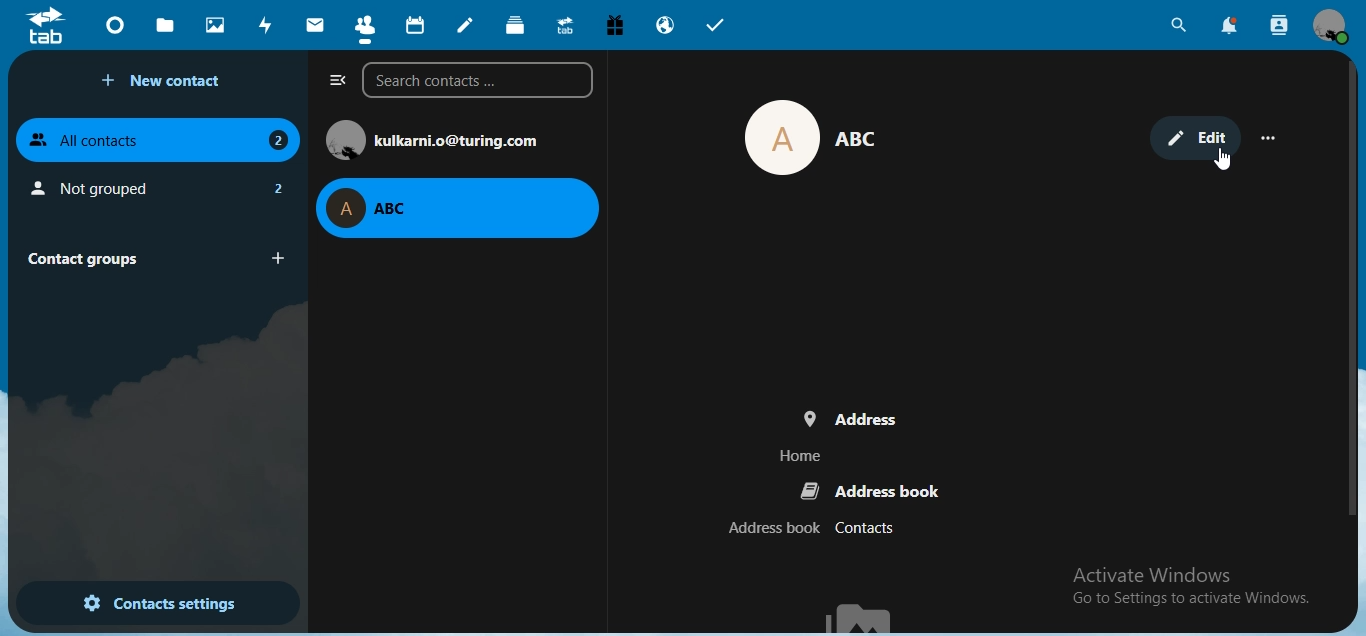 This screenshot has height=636, width=1366. I want to click on contact, so click(364, 24).